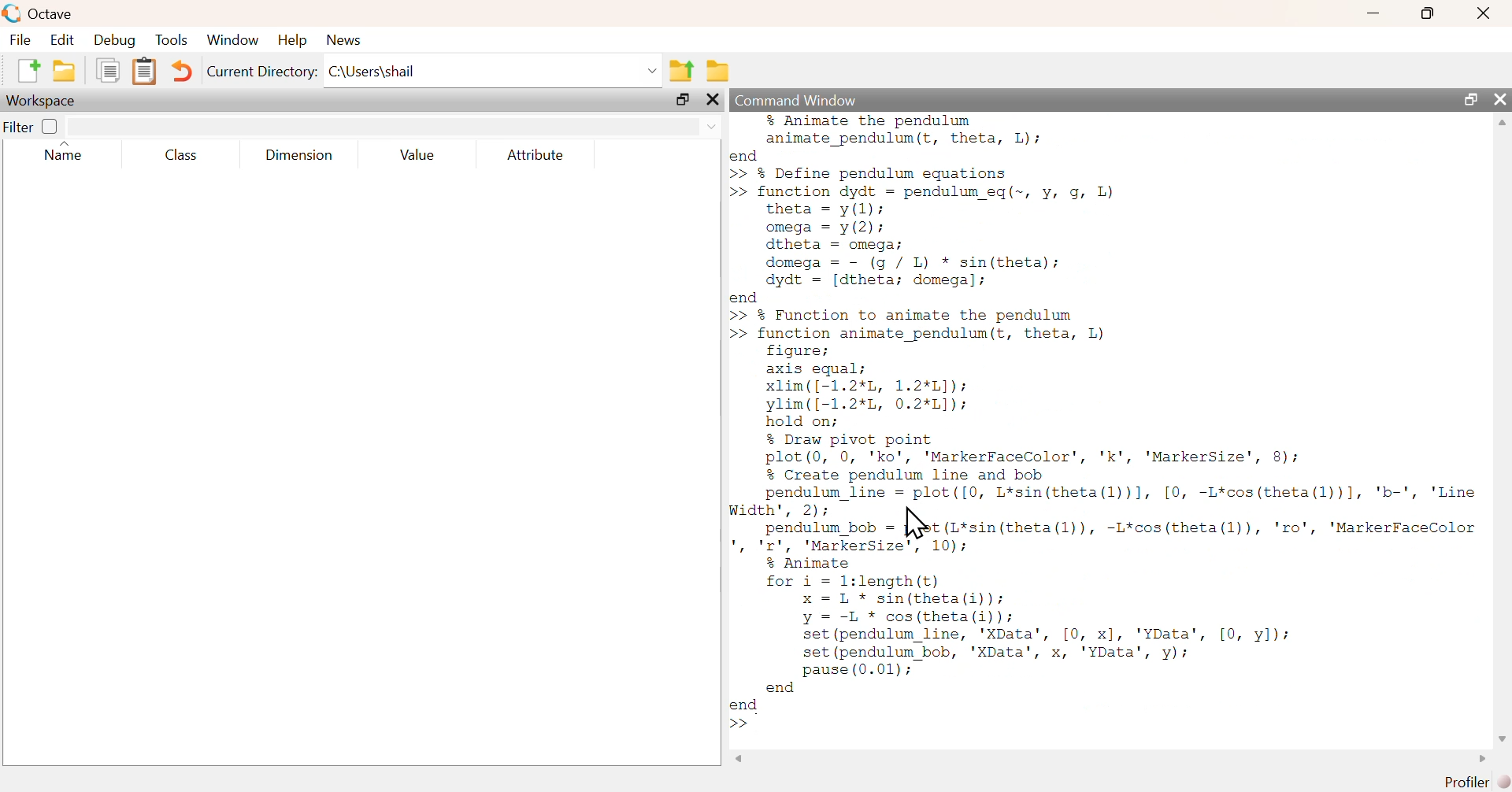 The width and height of the screenshot is (1512, 792). I want to click on Debug, so click(113, 41).